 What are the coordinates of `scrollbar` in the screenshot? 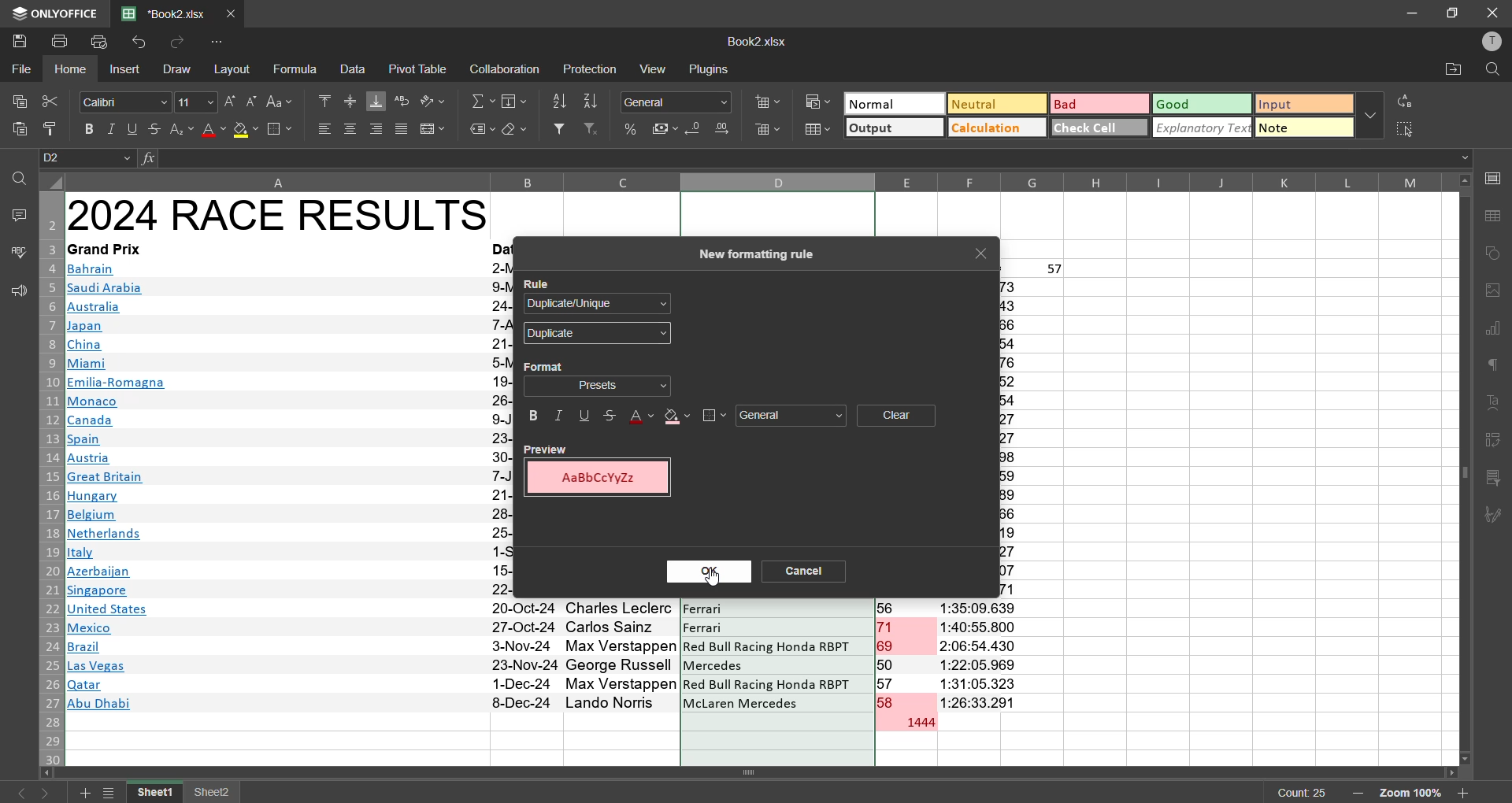 It's located at (754, 773).